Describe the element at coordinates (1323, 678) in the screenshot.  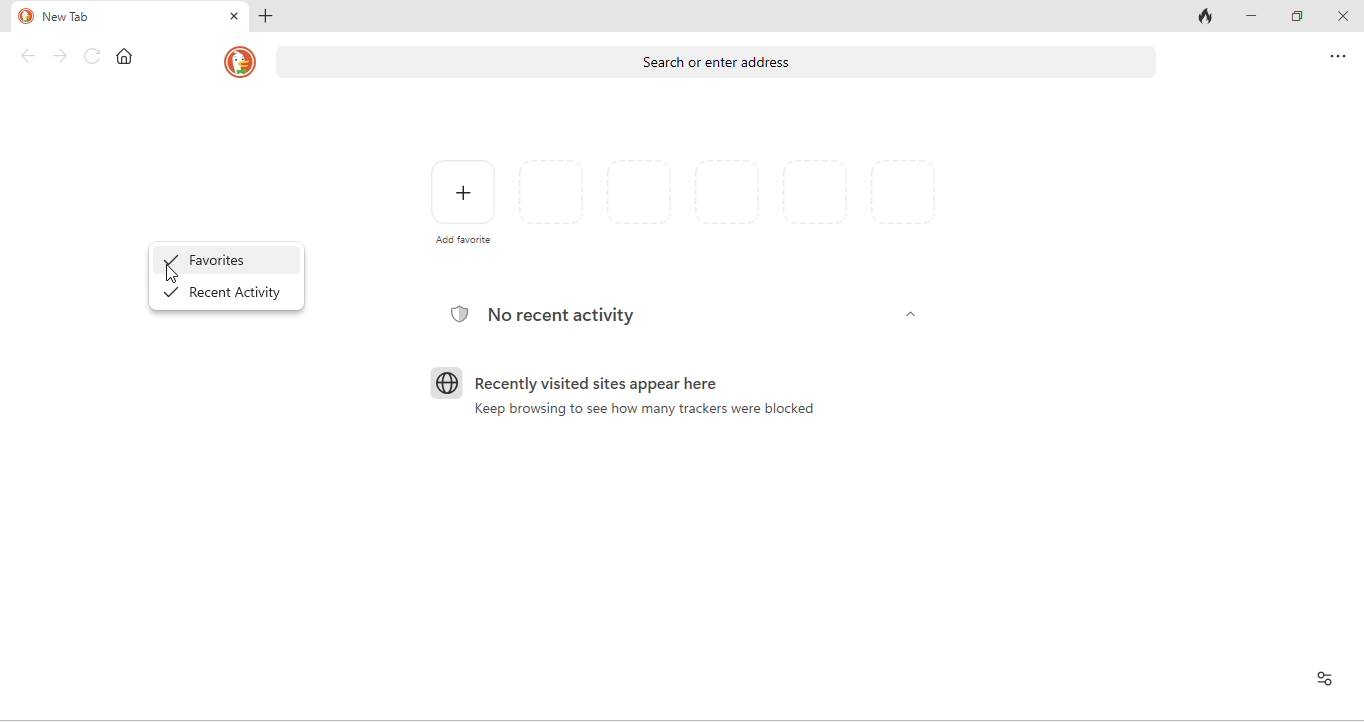
I see `recent activity and favorites` at that location.